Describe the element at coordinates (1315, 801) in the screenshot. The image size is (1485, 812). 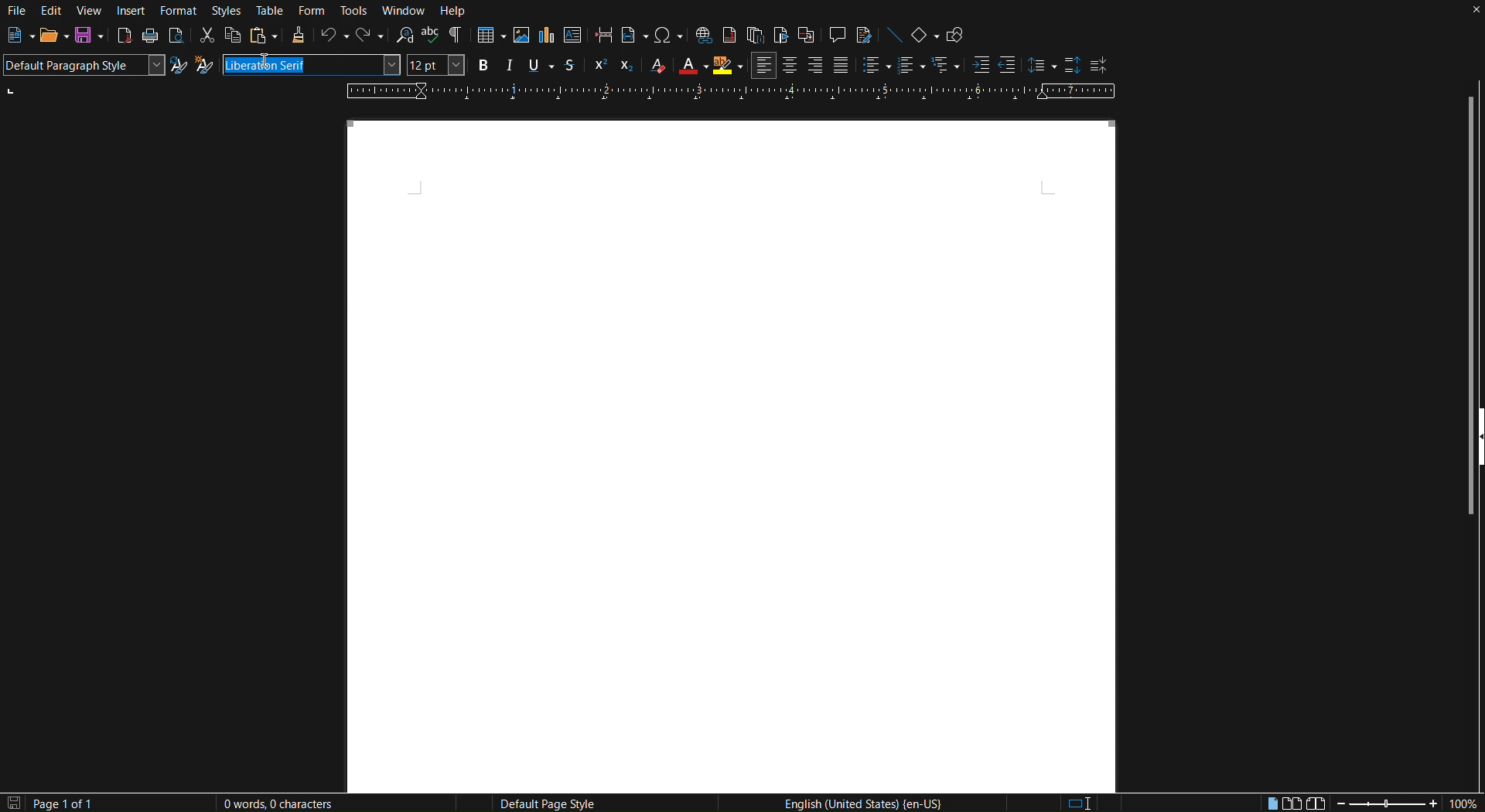
I see `Book view` at that location.